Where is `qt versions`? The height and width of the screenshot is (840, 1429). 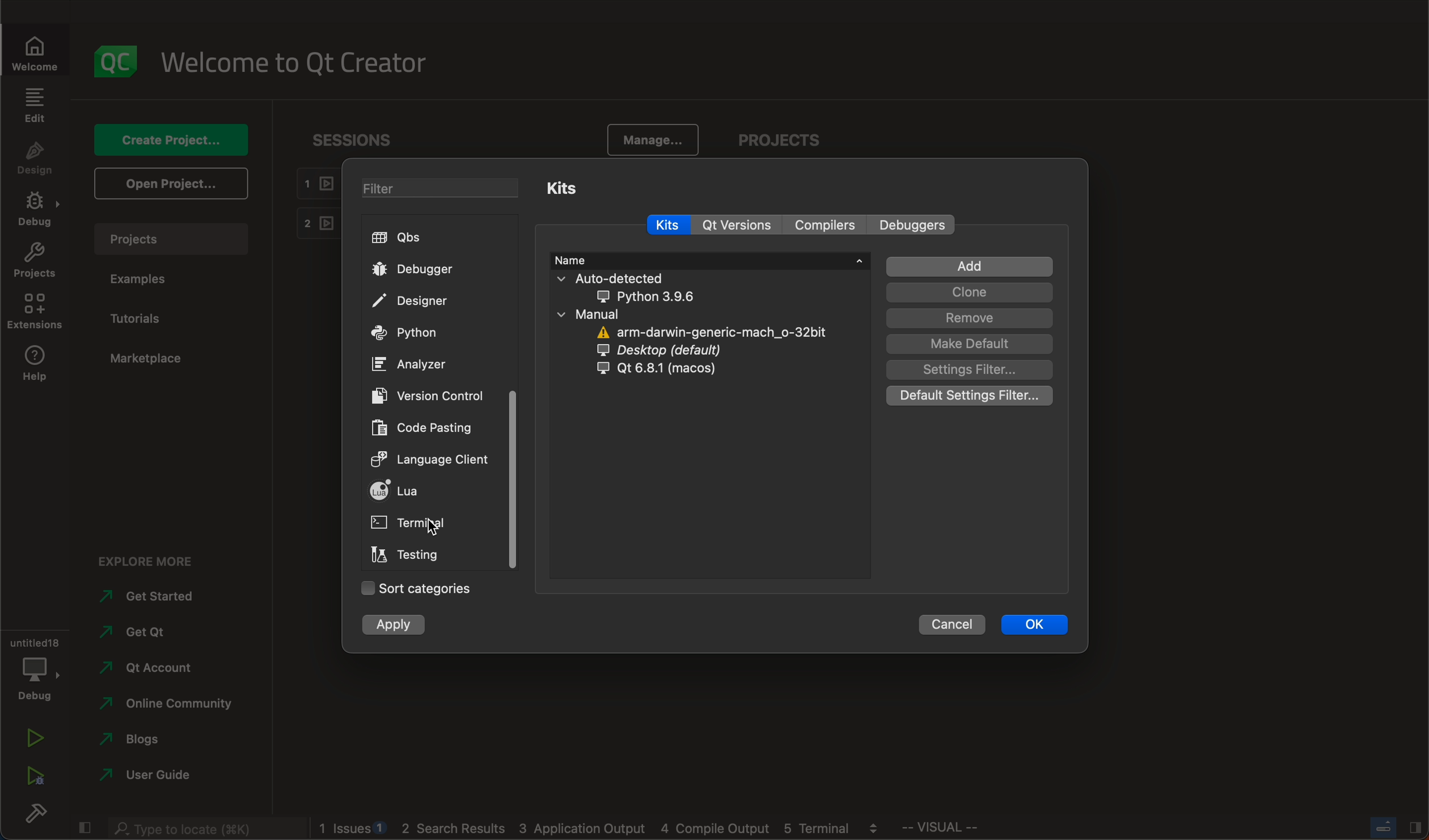
qt versions is located at coordinates (742, 225).